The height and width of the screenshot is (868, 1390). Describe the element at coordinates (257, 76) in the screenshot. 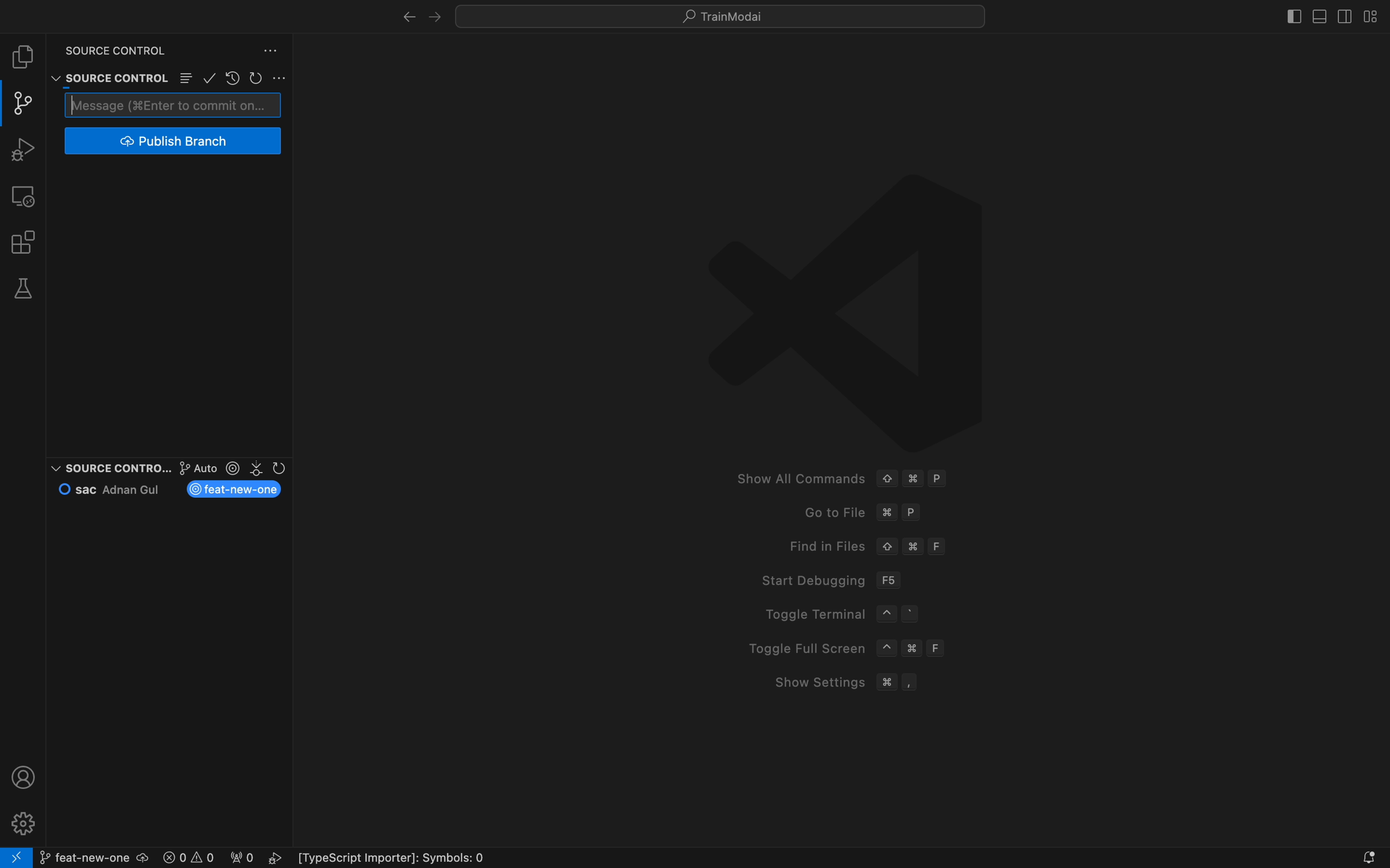

I see `restart` at that location.